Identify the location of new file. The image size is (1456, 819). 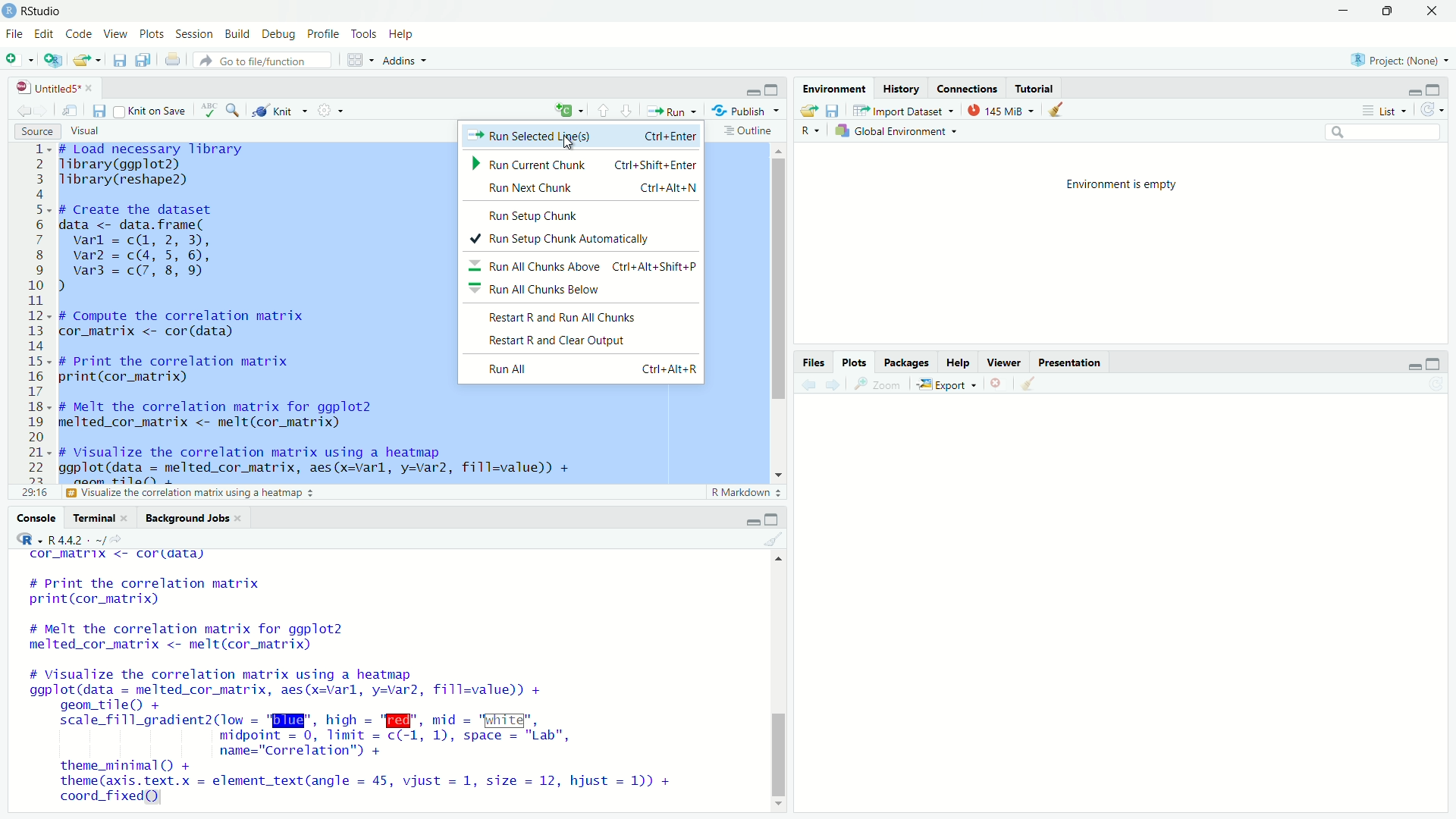
(15, 60).